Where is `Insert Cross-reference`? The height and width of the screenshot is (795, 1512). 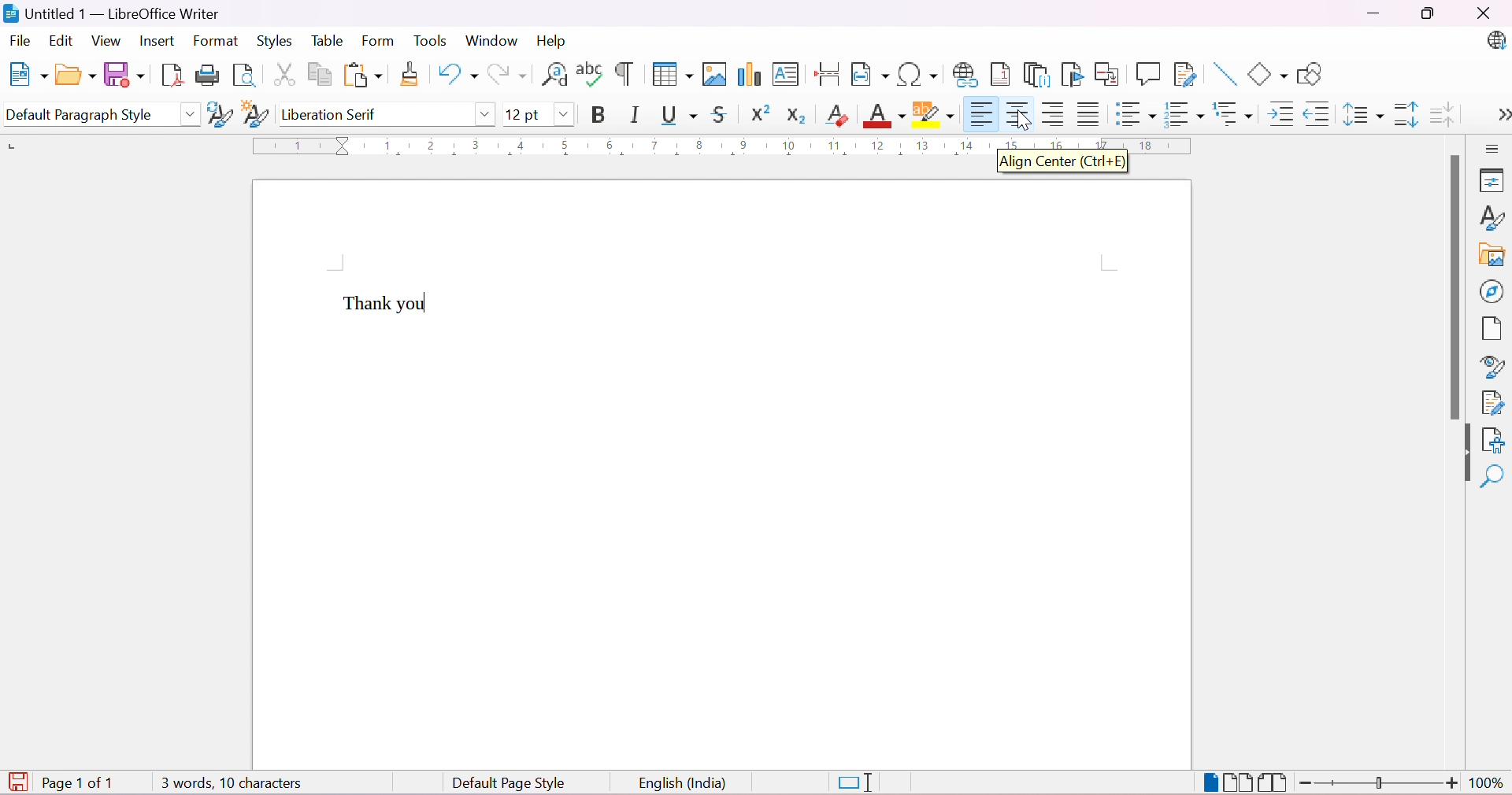 Insert Cross-reference is located at coordinates (1107, 75).